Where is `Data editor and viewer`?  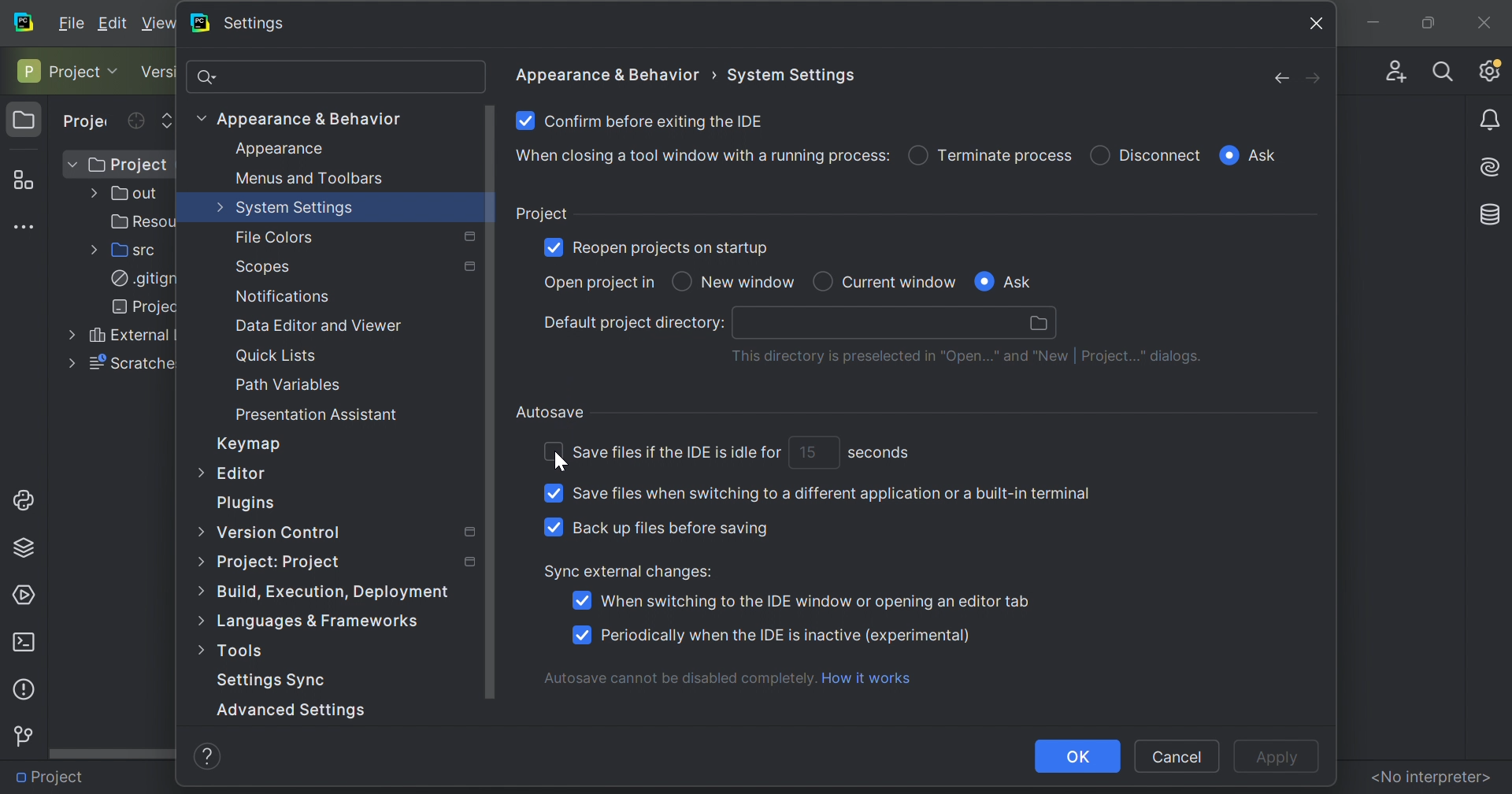 Data editor and viewer is located at coordinates (317, 325).